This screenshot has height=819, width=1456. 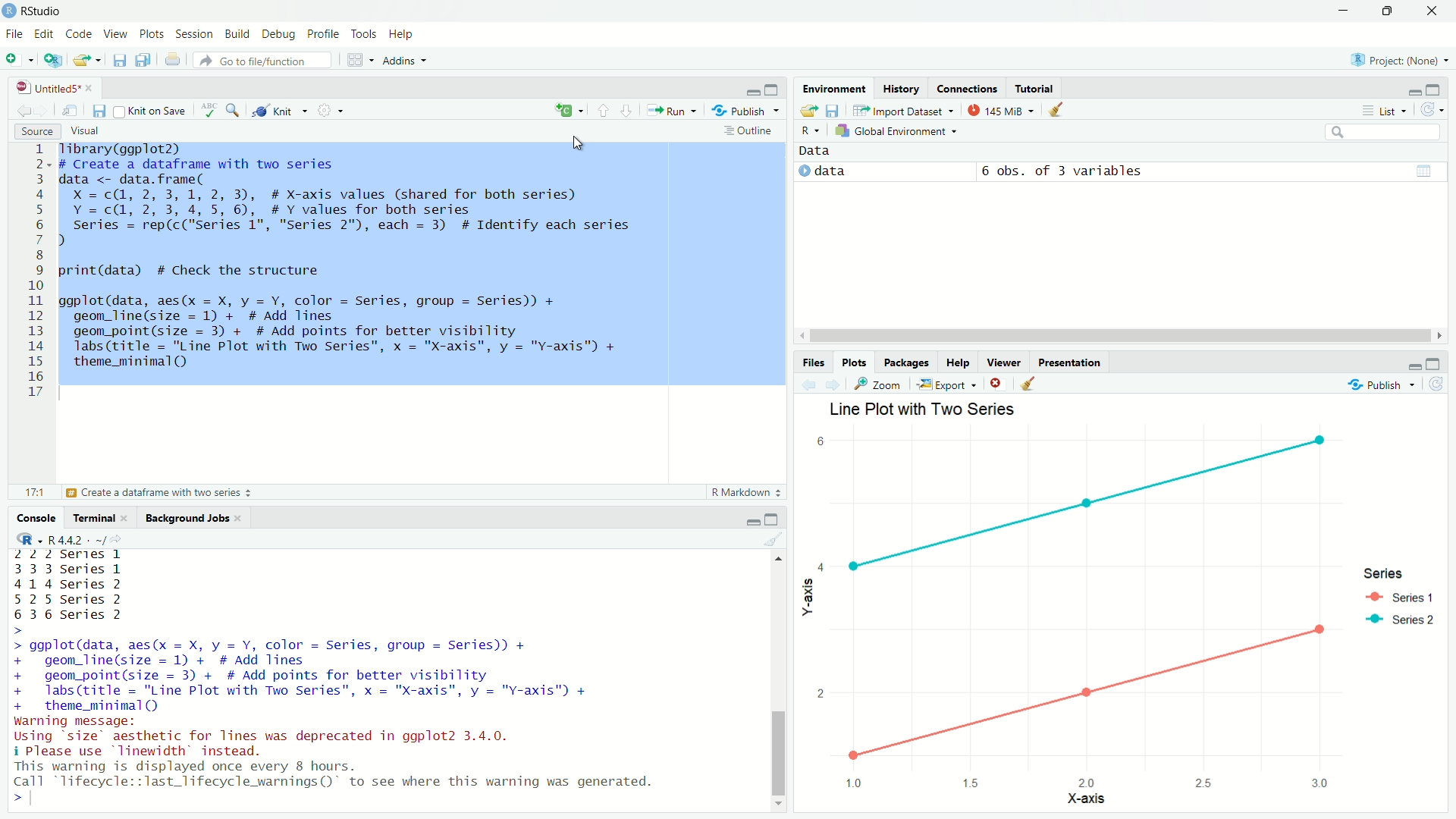 I want to click on Connections, so click(x=964, y=88).